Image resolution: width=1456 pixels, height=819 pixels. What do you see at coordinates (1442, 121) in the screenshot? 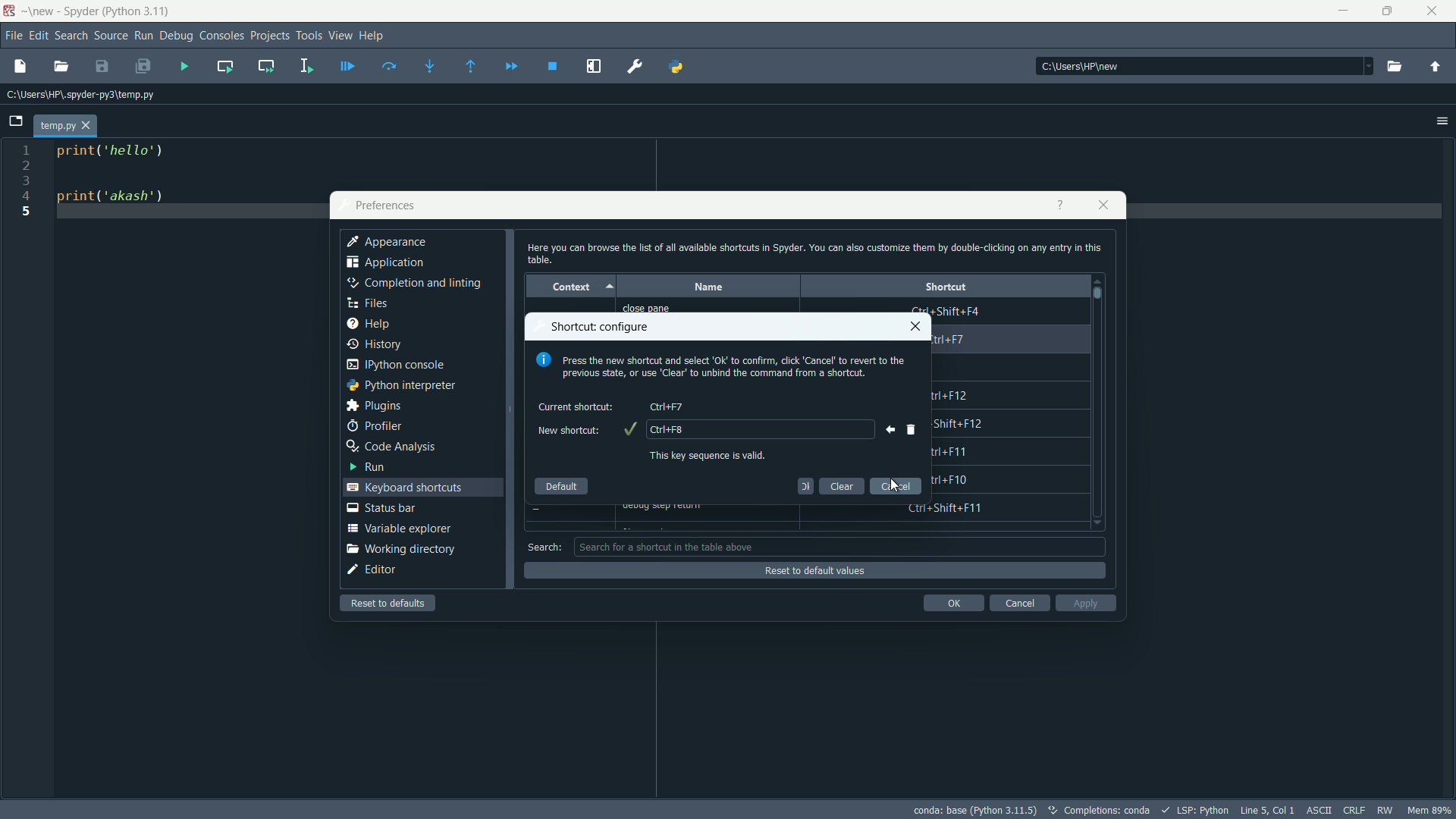
I see `options` at bounding box center [1442, 121].